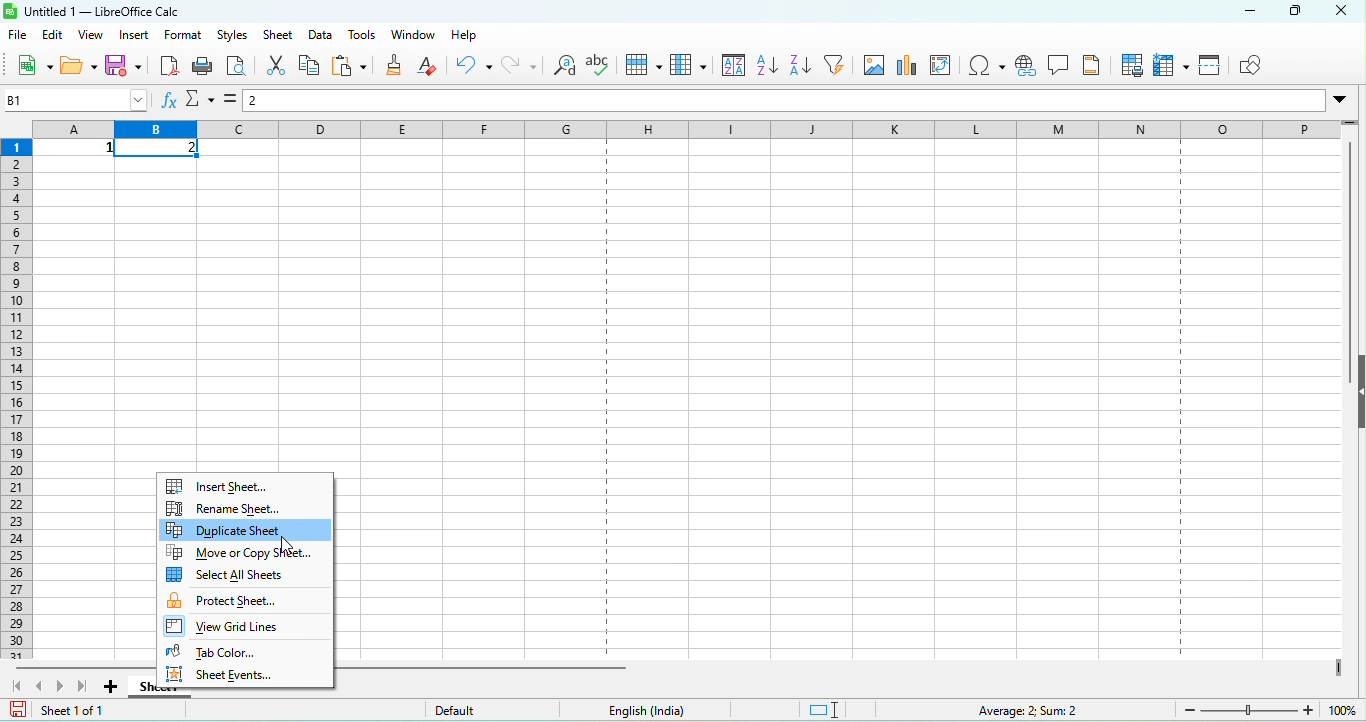 The height and width of the screenshot is (722, 1366). Describe the element at coordinates (53, 36) in the screenshot. I see `edit` at that location.